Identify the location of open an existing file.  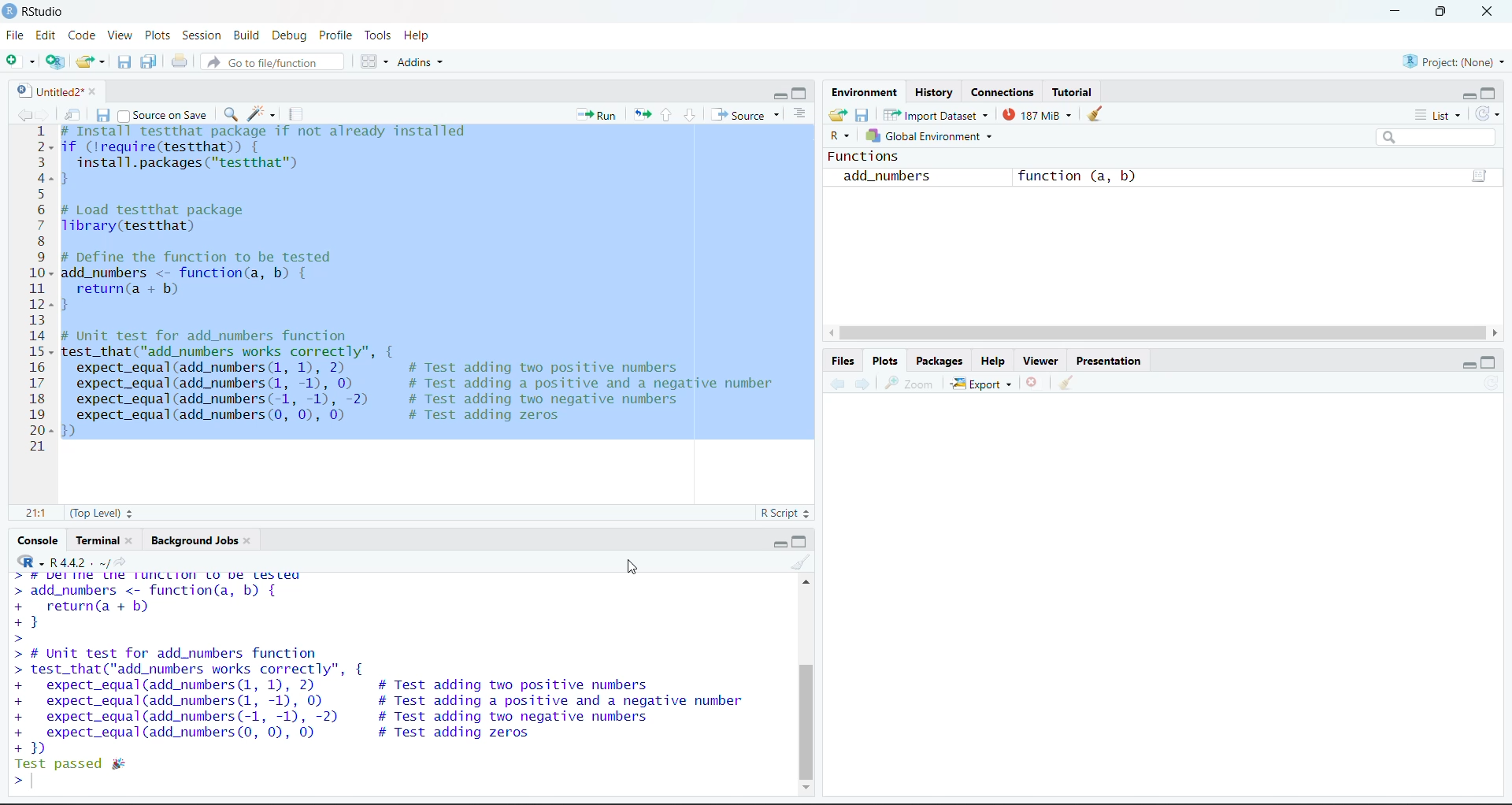
(91, 61).